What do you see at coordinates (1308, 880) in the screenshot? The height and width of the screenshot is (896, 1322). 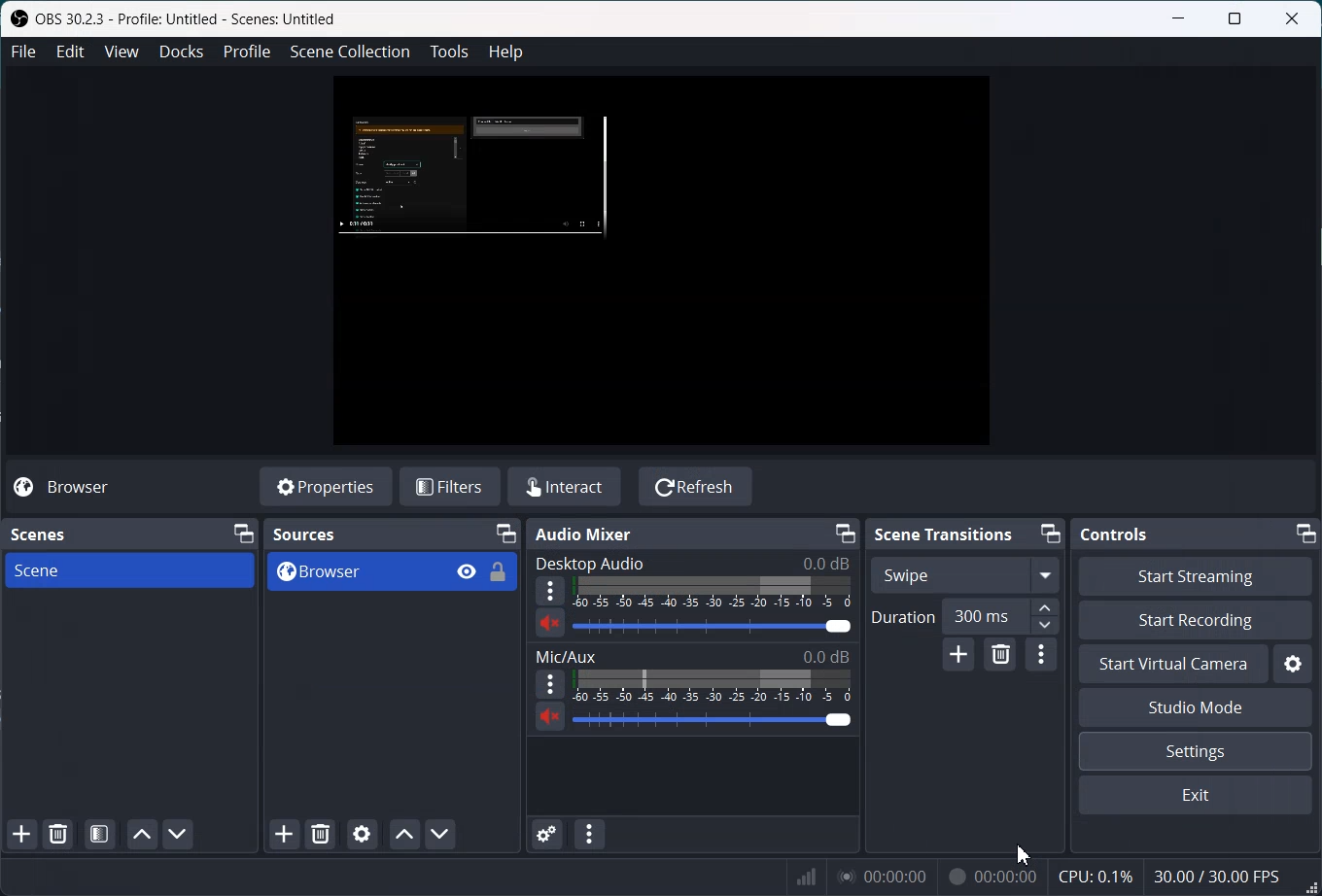 I see `Window Adjuster` at bounding box center [1308, 880].